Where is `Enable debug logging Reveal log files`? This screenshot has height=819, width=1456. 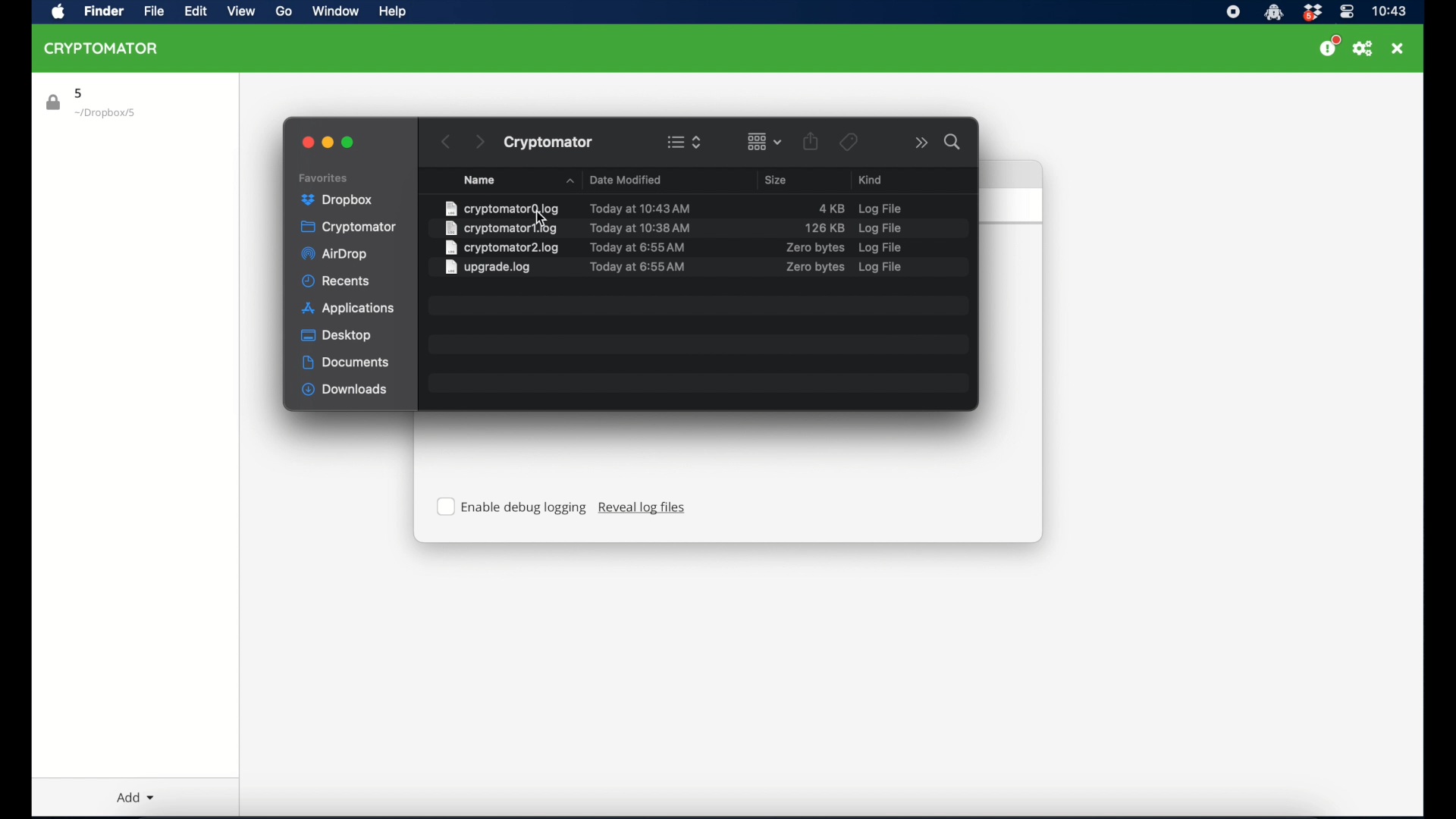 Enable debug logging Reveal log files is located at coordinates (564, 507).